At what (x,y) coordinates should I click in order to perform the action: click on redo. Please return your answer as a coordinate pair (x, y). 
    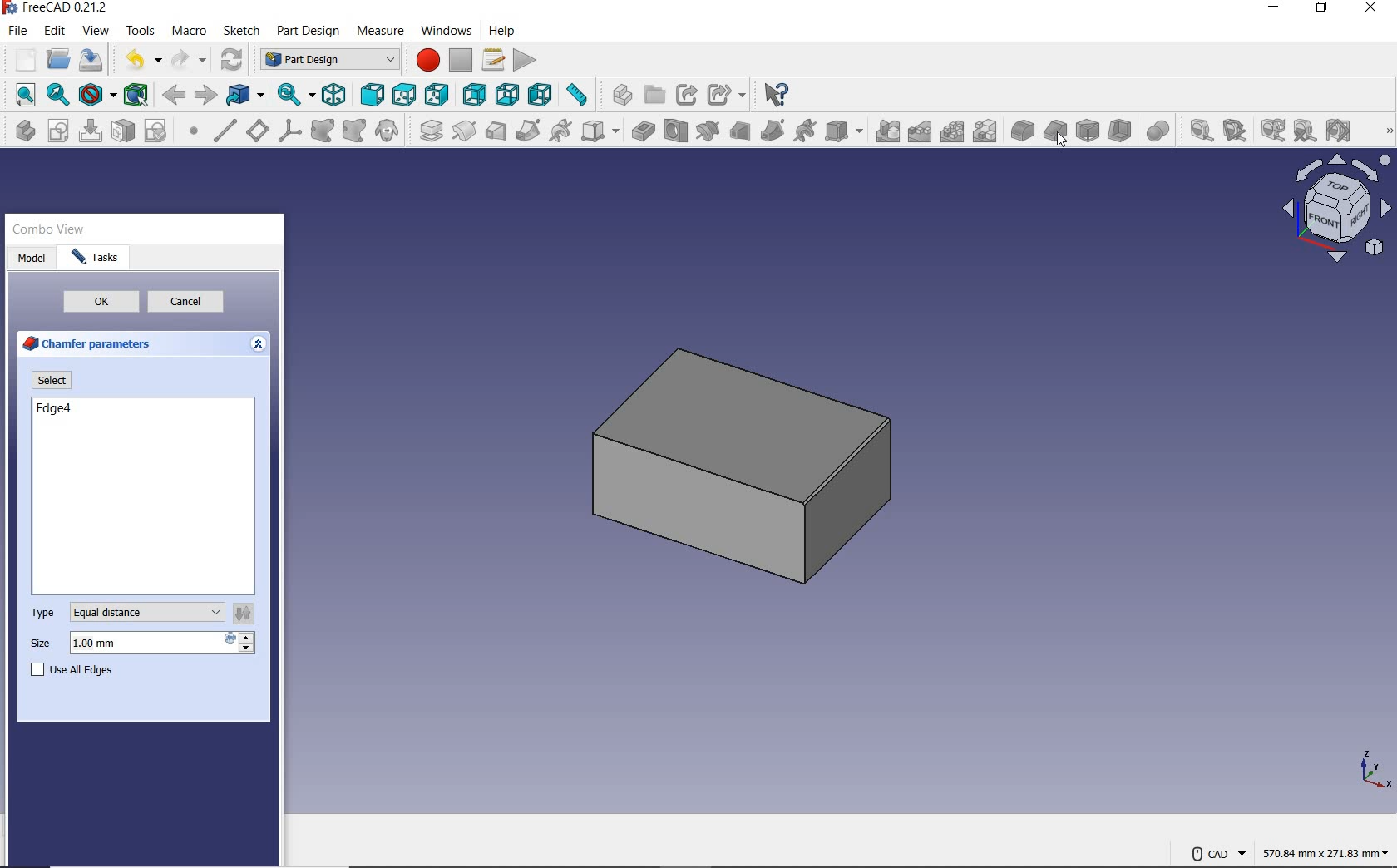
    Looking at the image, I should click on (190, 60).